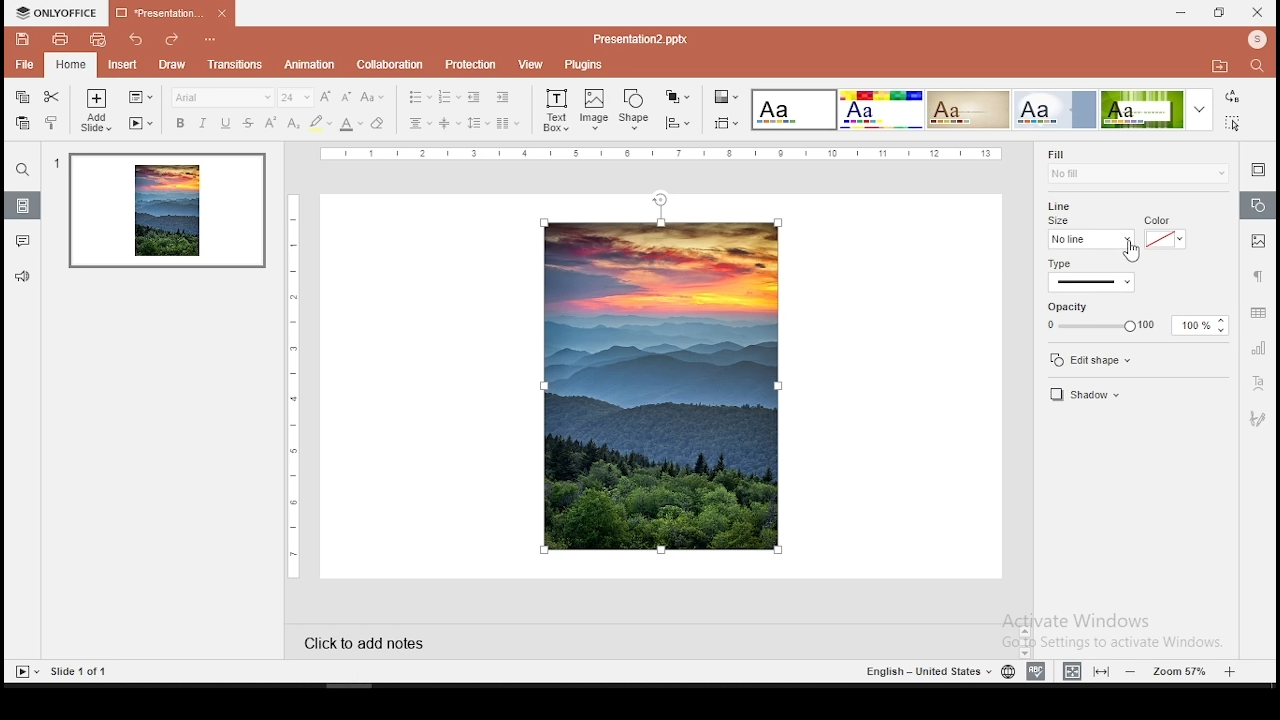 The height and width of the screenshot is (720, 1280). What do you see at coordinates (1104, 359) in the screenshot?
I see `edit shape` at bounding box center [1104, 359].